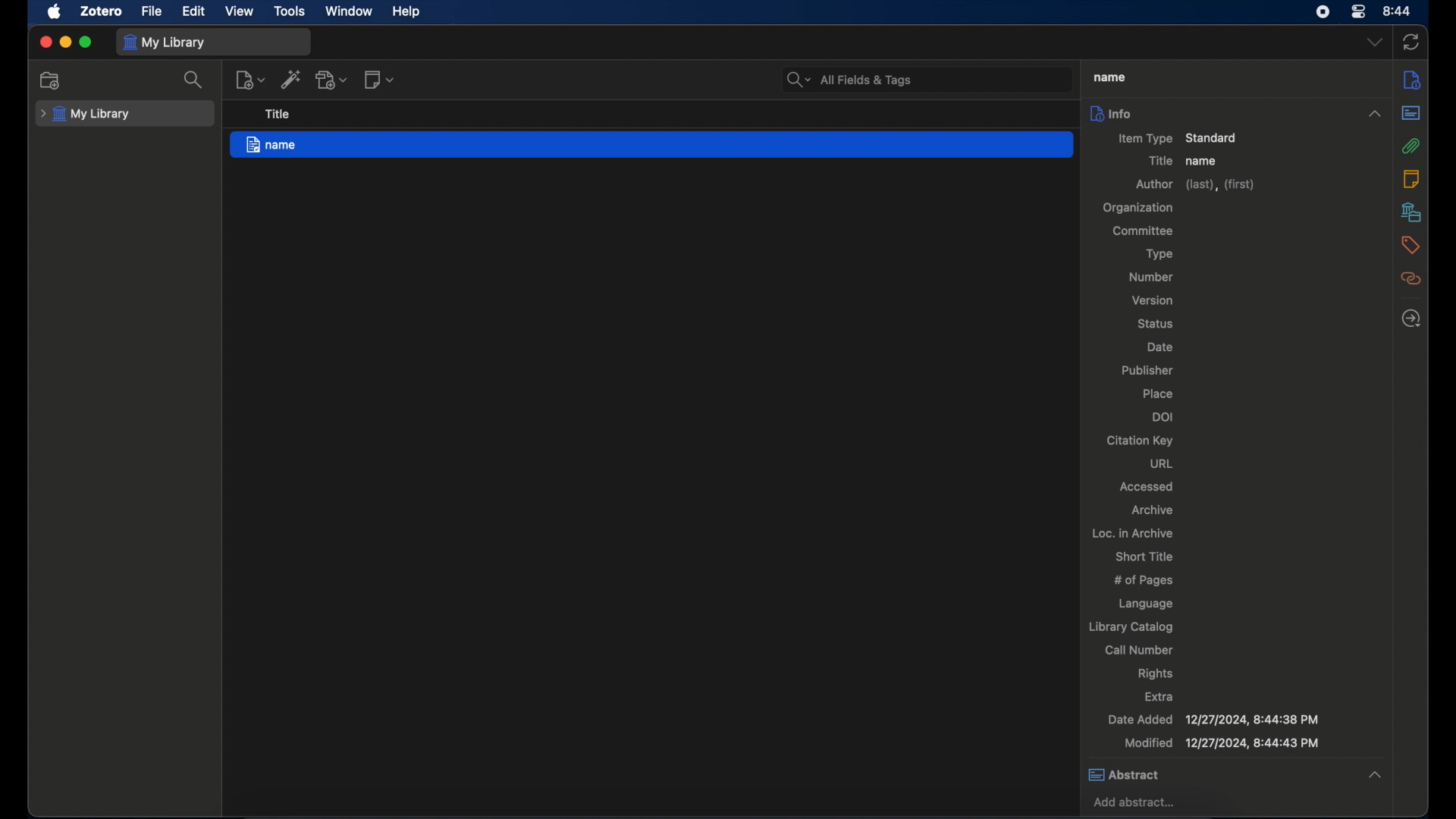  What do you see at coordinates (1213, 719) in the screenshot?
I see `date added` at bounding box center [1213, 719].